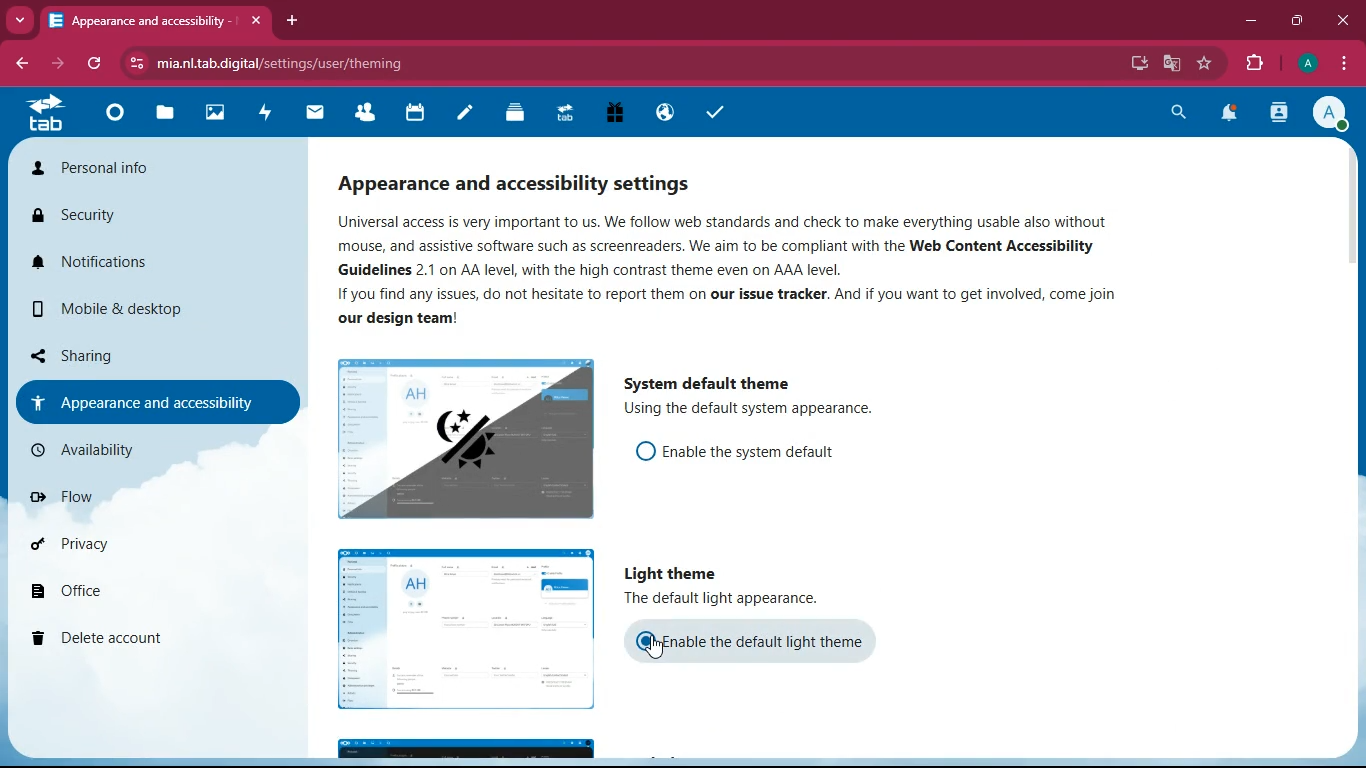 The image size is (1366, 768). I want to click on appearance, so click(529, 178).